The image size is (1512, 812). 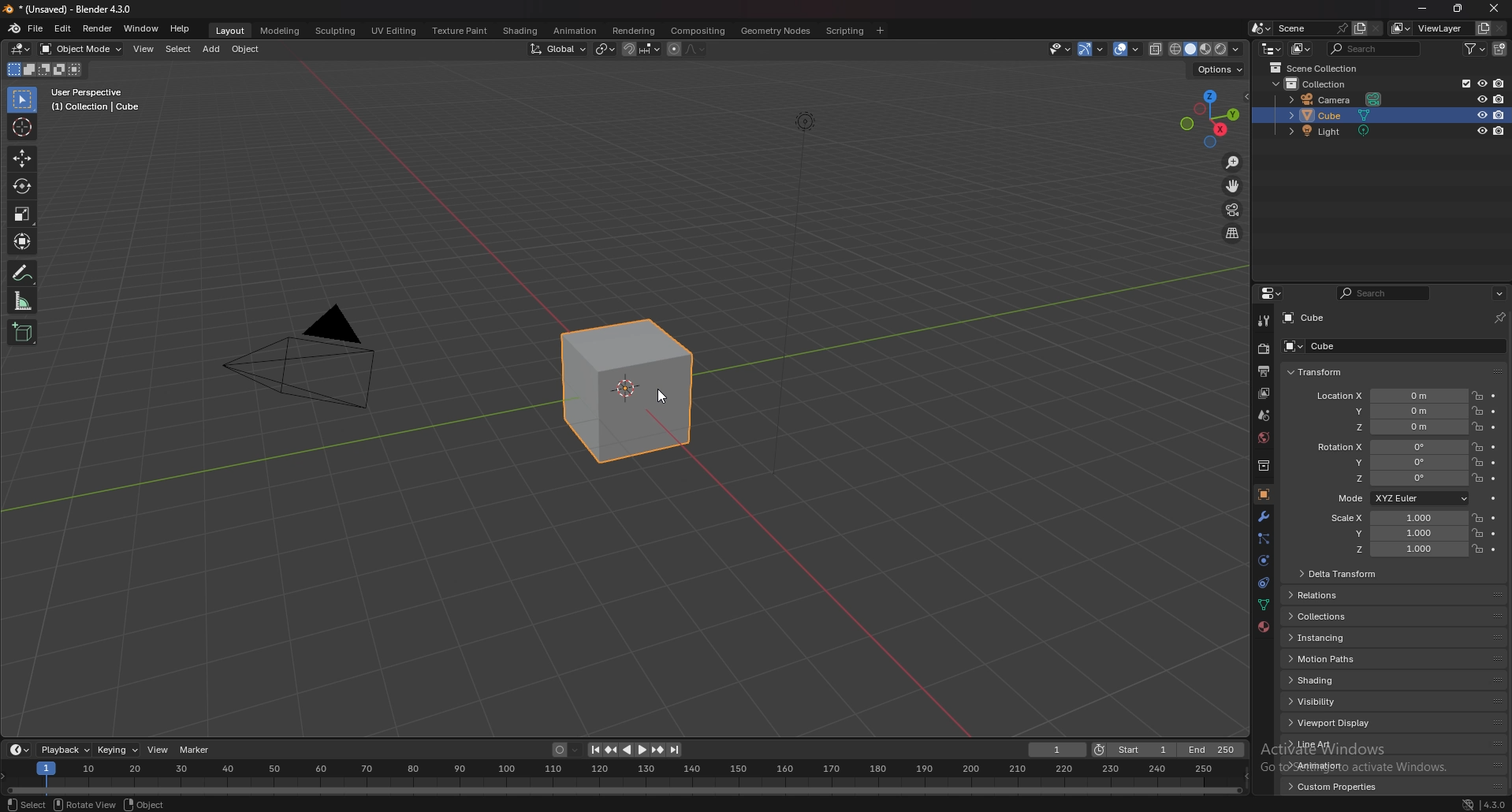 What do you see at coordinates (847, 31) in the screenshot?
I see `scripting` at bounding box center [847, 31].